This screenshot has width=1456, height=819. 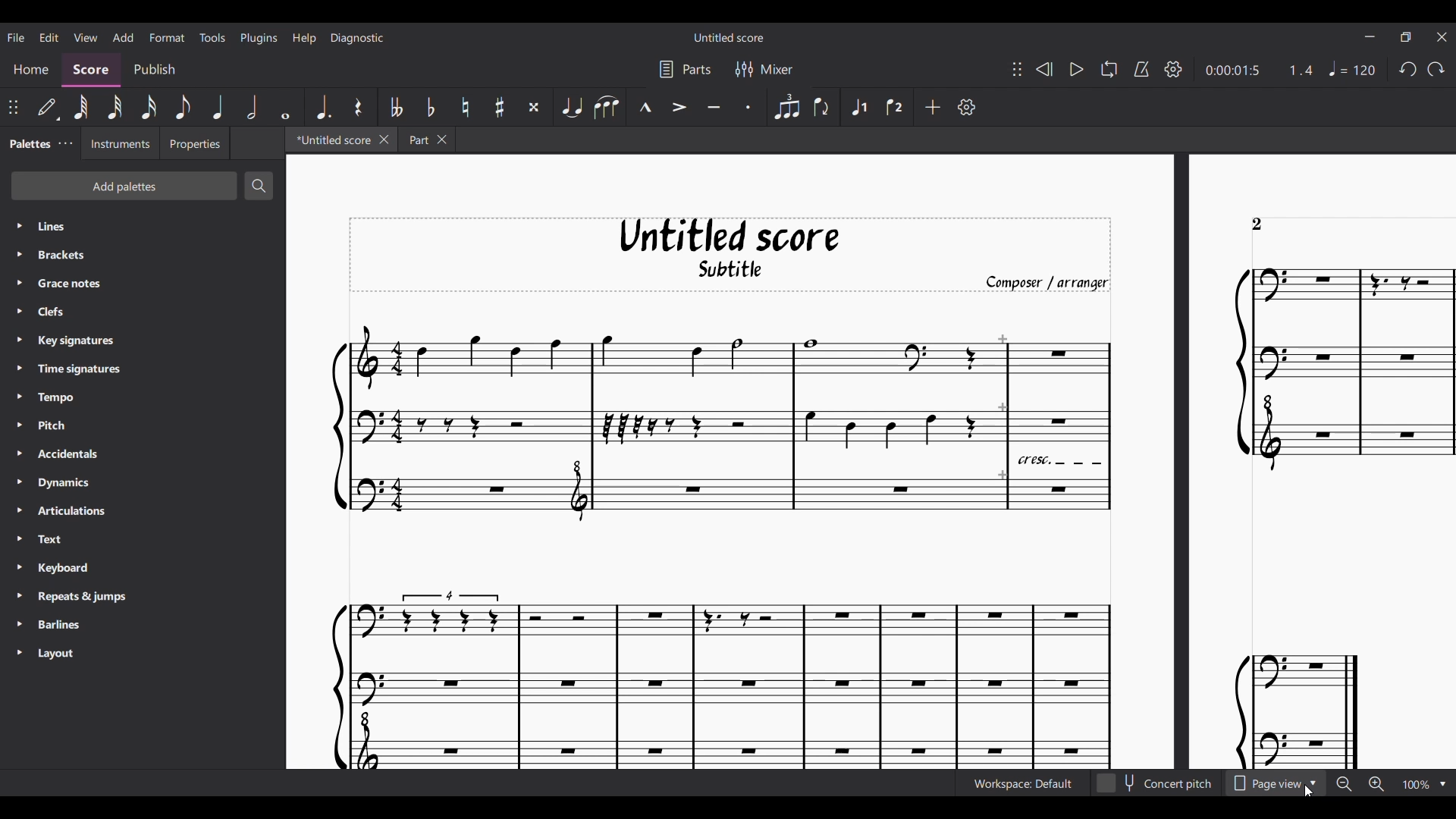 What do you see at coordinates (466, 107) in the screenshot?
I see `Toggle natural` at bounding box center [466, 107].